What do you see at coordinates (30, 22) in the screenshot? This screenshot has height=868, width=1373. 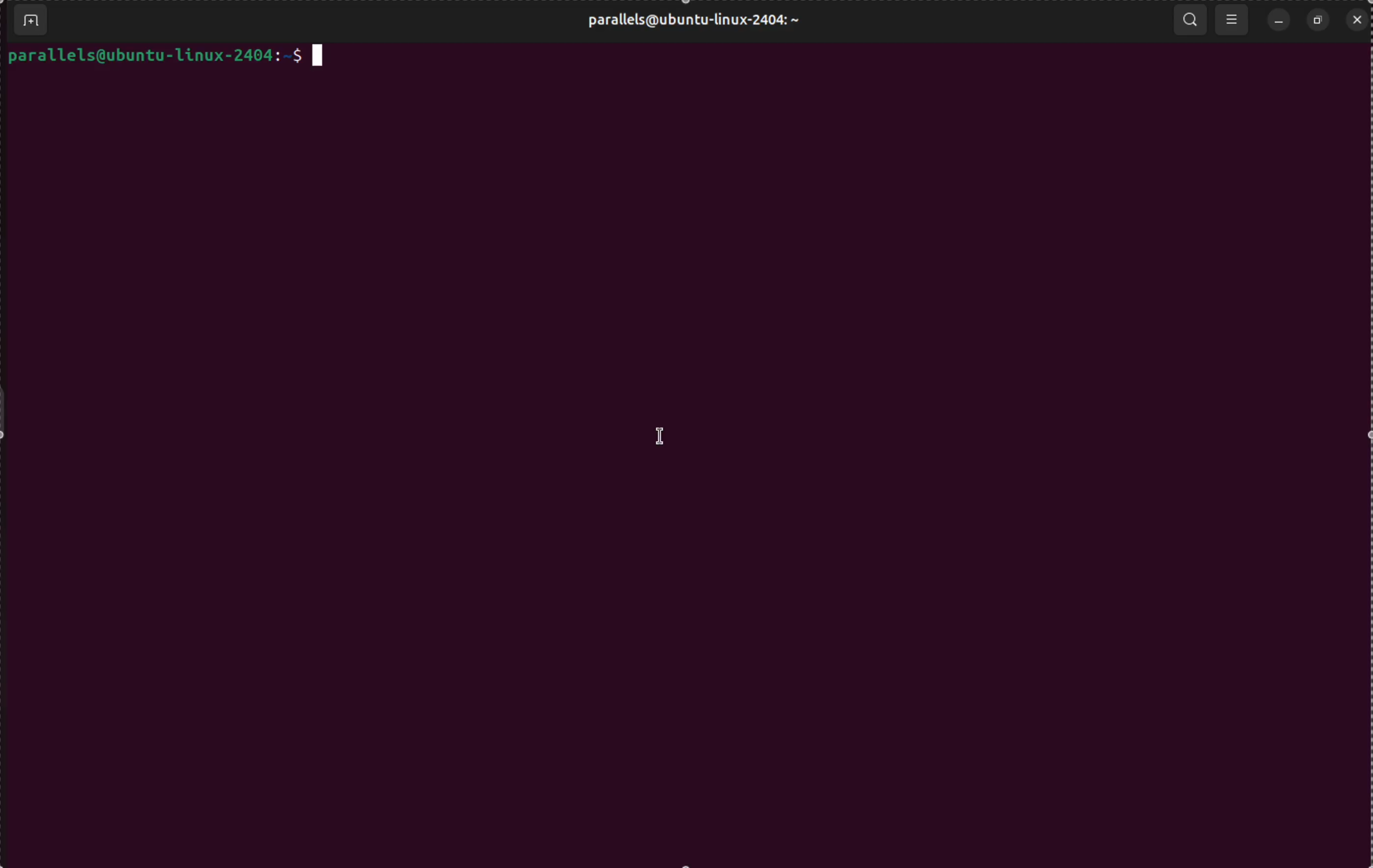 I see `add terminal` at bounding box center [30, 22].